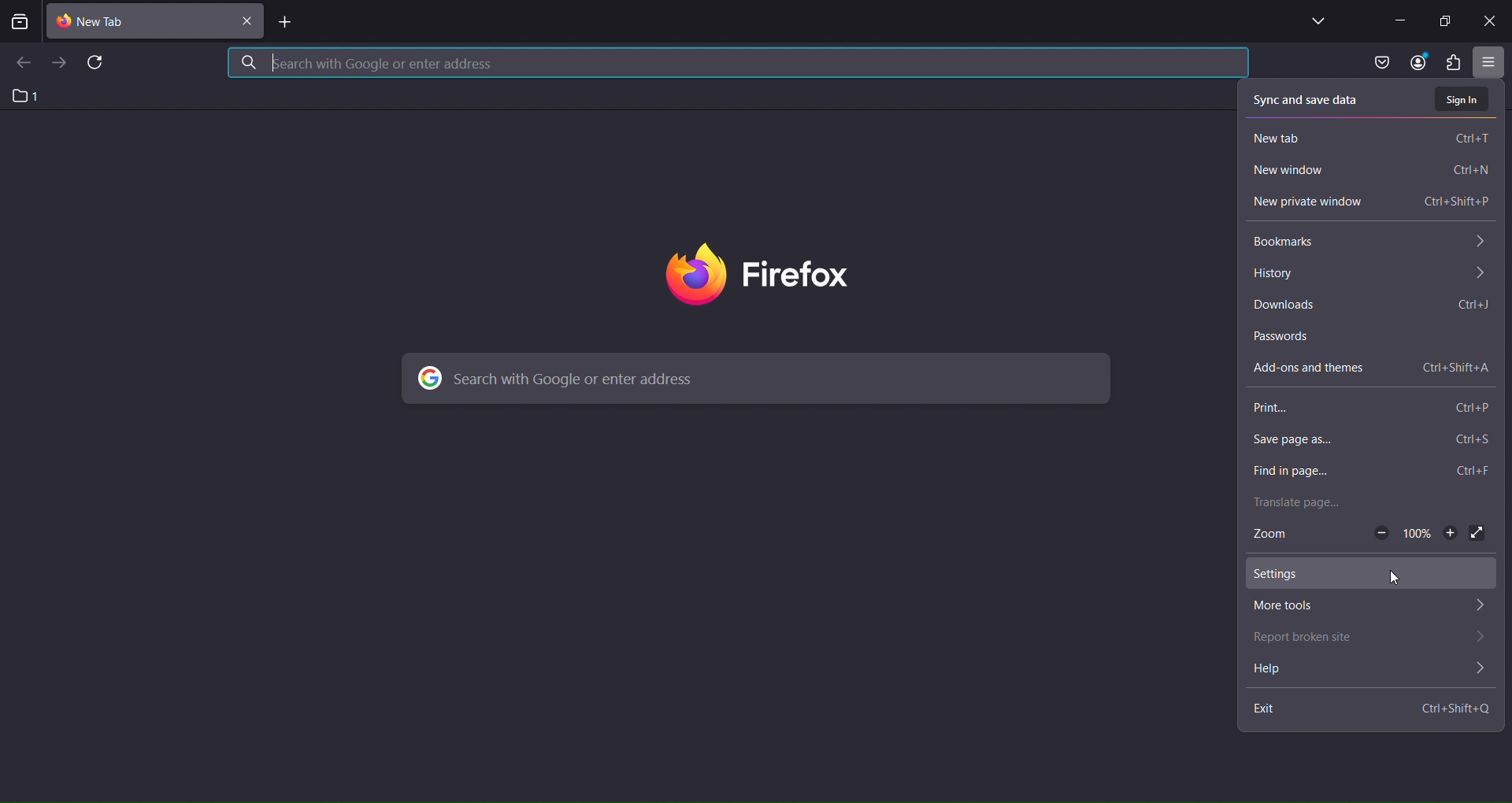  I want to click on new tab, so click(1368, 136).